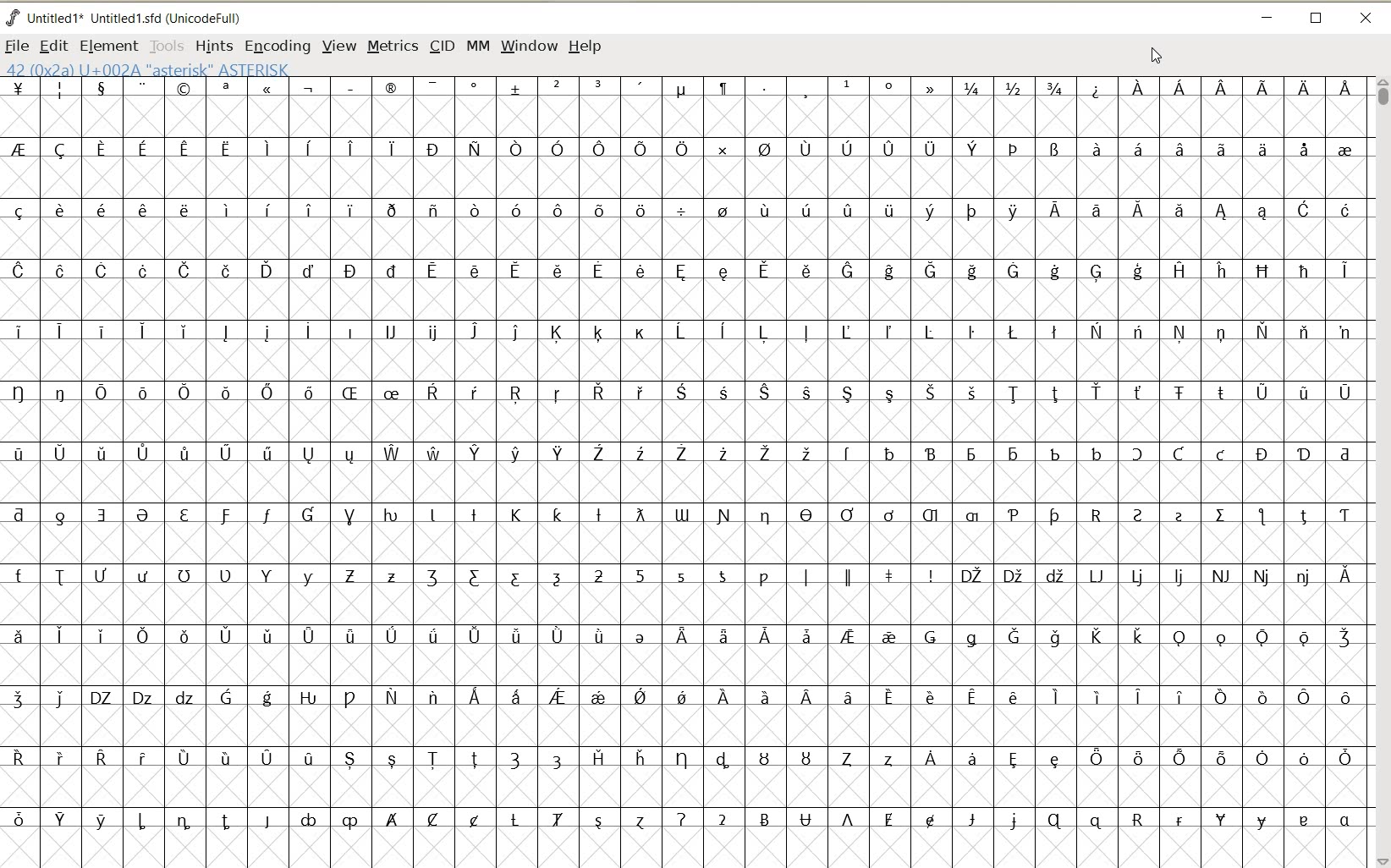 Image resolution: width=1391 pixels, height=868 pixels. I want to click on ELEMENT, so click(109, 46).